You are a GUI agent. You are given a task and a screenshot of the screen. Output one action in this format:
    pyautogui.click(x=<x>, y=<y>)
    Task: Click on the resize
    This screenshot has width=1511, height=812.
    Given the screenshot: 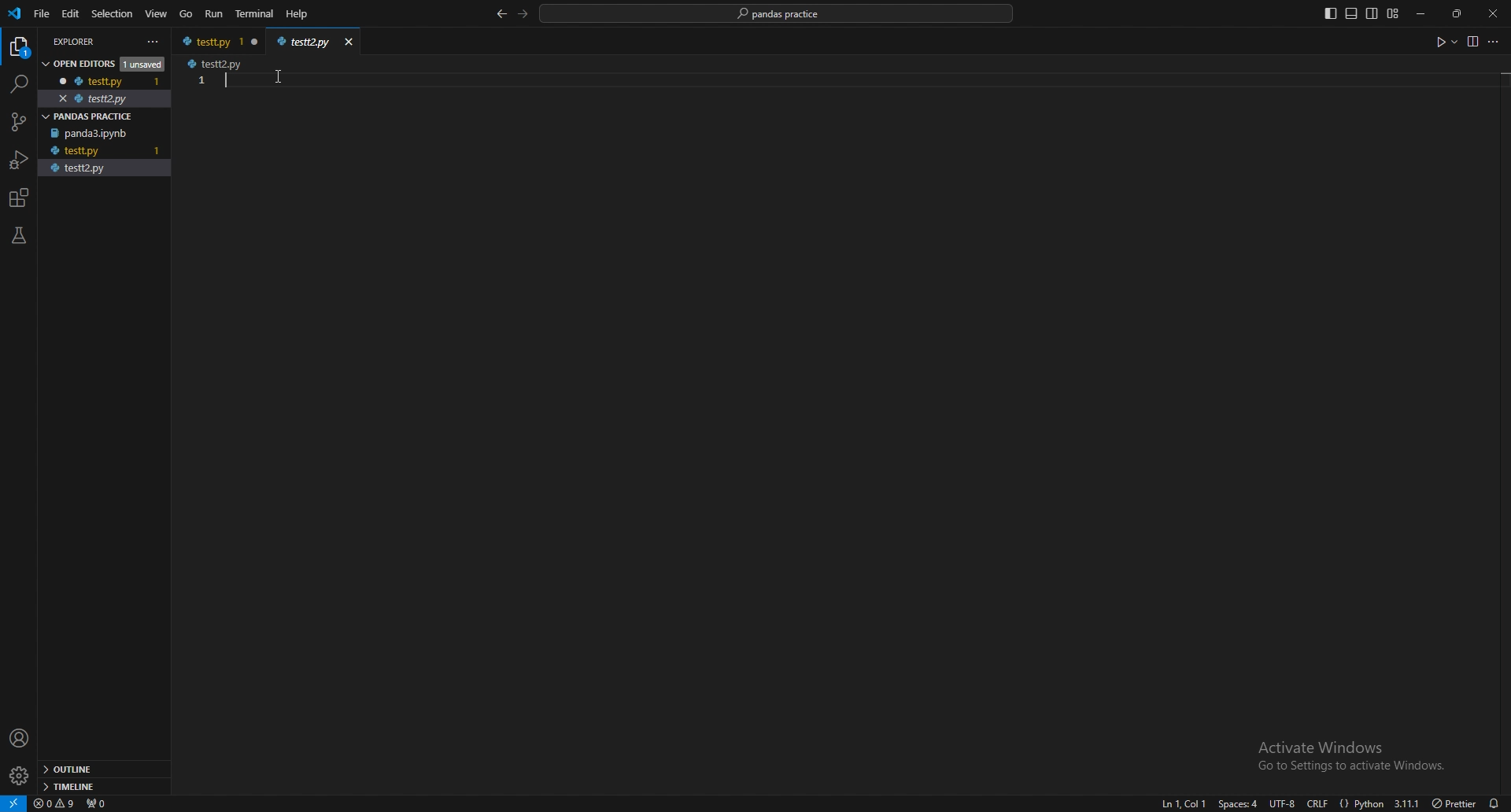 What is the action you would take?
    pyautogui.click(x=1459, y=13)
    